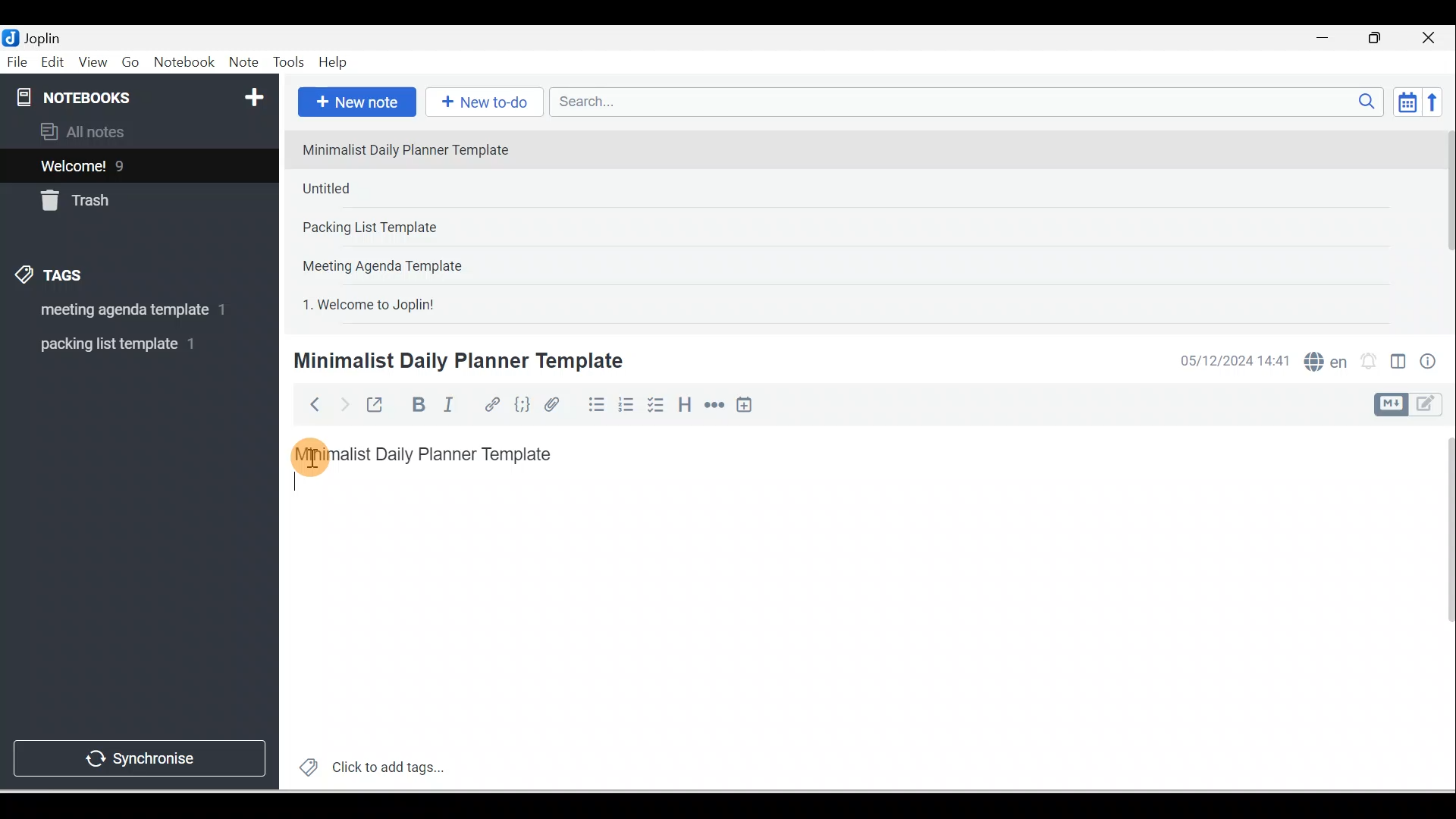 The width and height of the screenshot is (1456, 819). I want to click on All notes, so click(137, 131).